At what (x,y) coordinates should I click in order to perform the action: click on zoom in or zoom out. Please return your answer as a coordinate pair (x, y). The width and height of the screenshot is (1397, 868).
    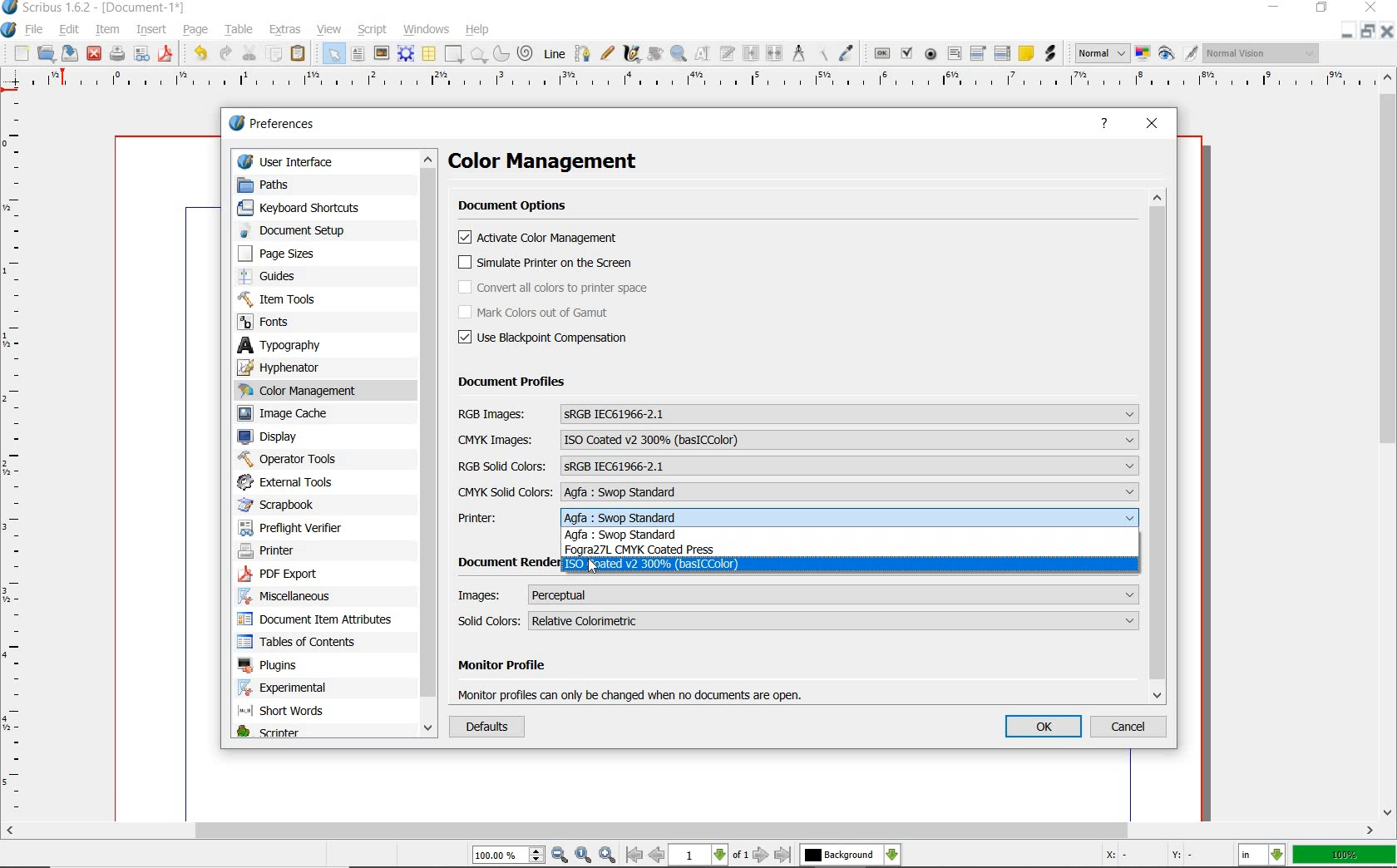
    Looking at the image, I should click on (678, 55).